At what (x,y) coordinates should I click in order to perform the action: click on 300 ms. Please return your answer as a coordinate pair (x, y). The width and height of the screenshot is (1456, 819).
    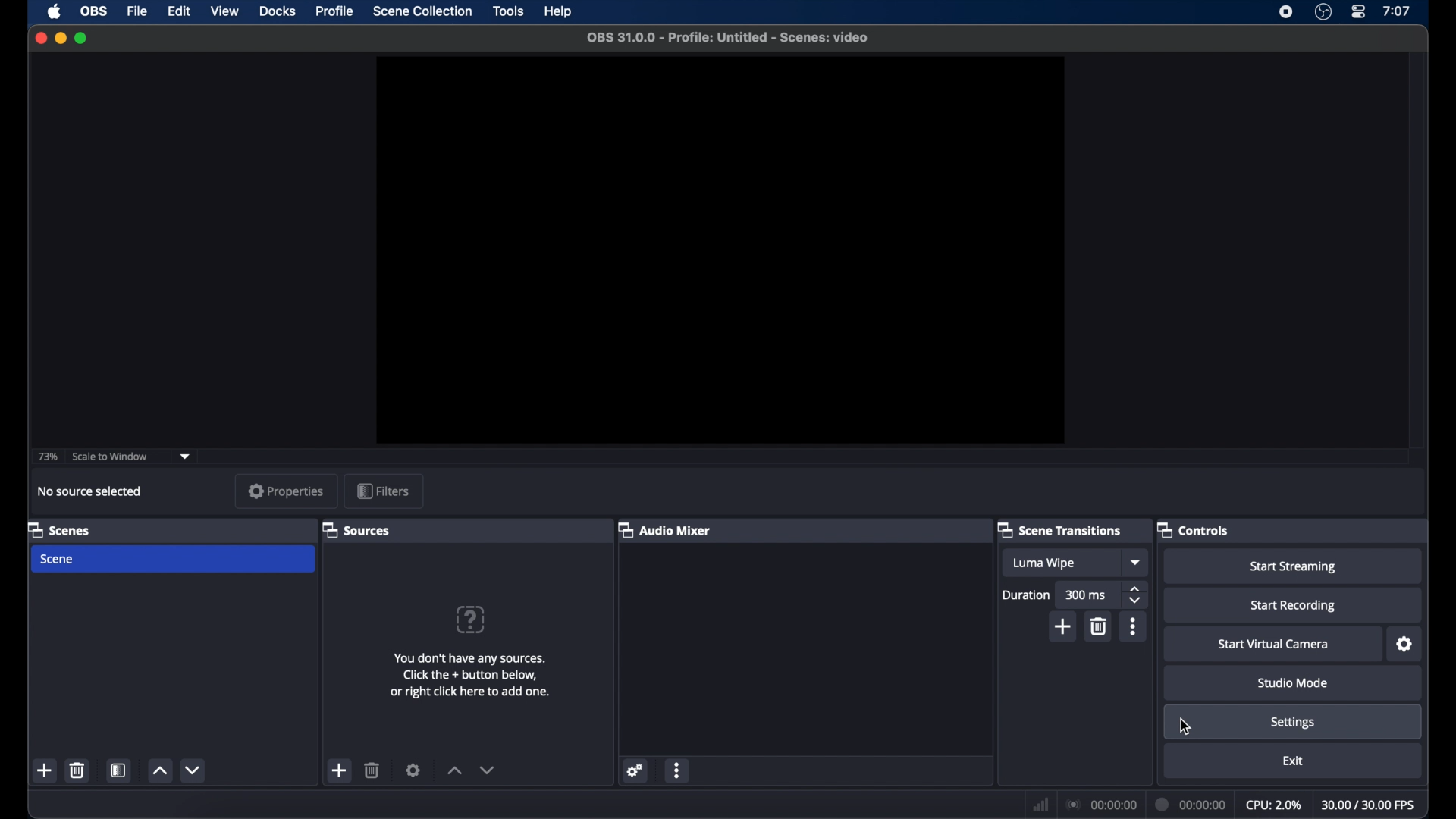
    Looking at the image, I should click on (1086, 596).